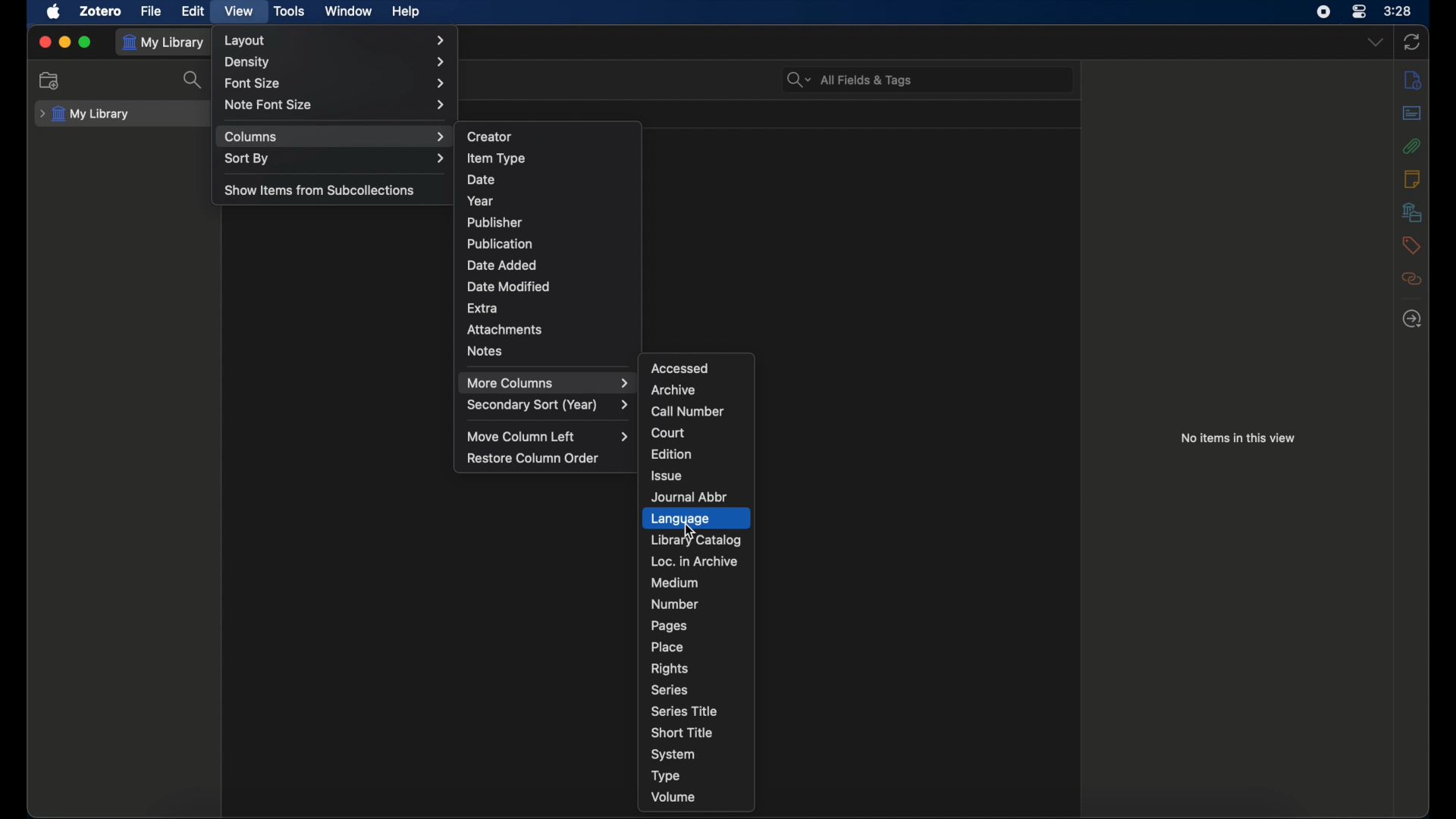 This screenshot has width=1456, height=819. What do you see at coordinates (502, 265) in the screenshot?
I see `date added` at bounding box center [502, 265].